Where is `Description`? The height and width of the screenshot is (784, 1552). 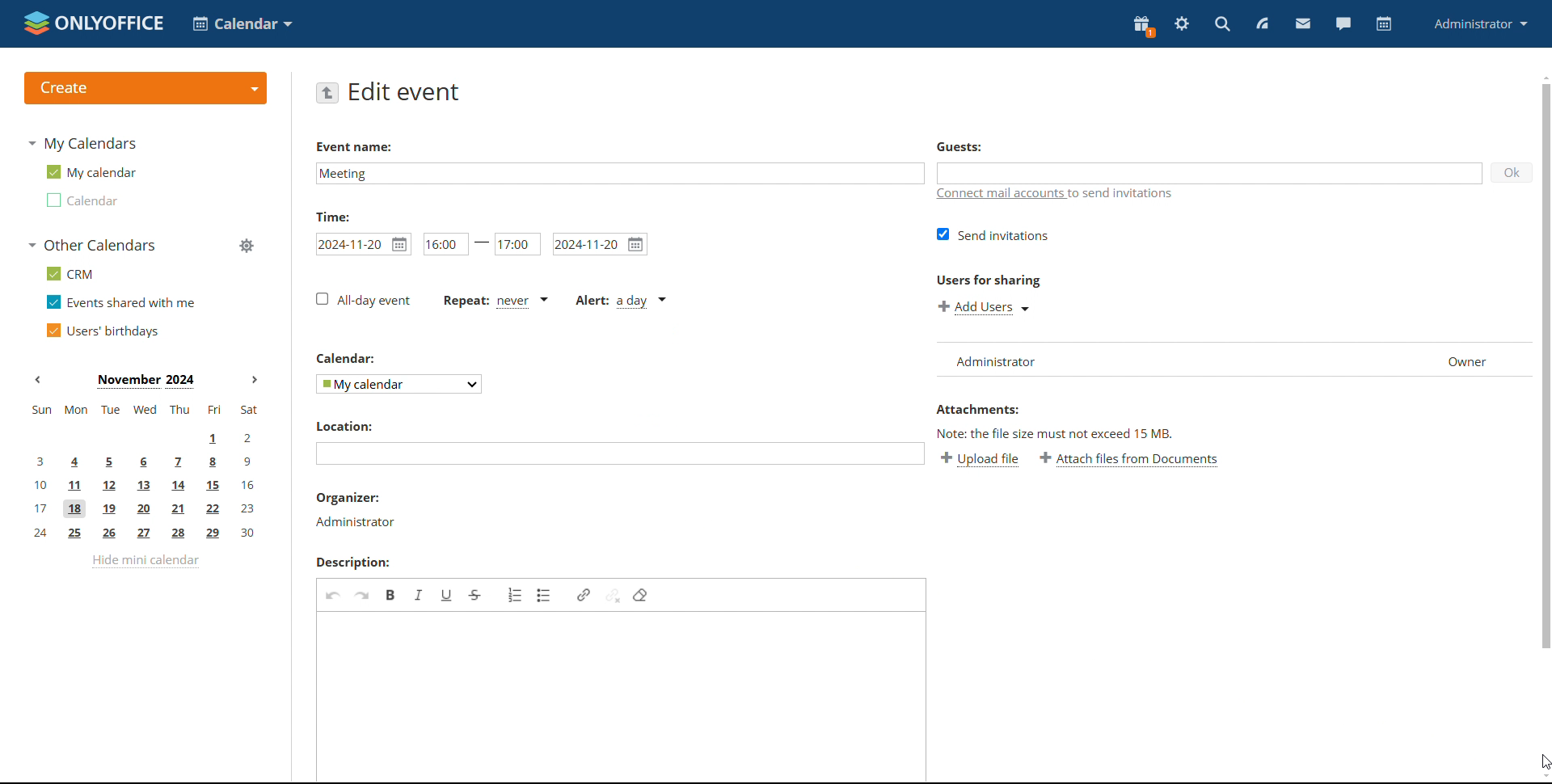 Description is located at coordinates (352, 563).